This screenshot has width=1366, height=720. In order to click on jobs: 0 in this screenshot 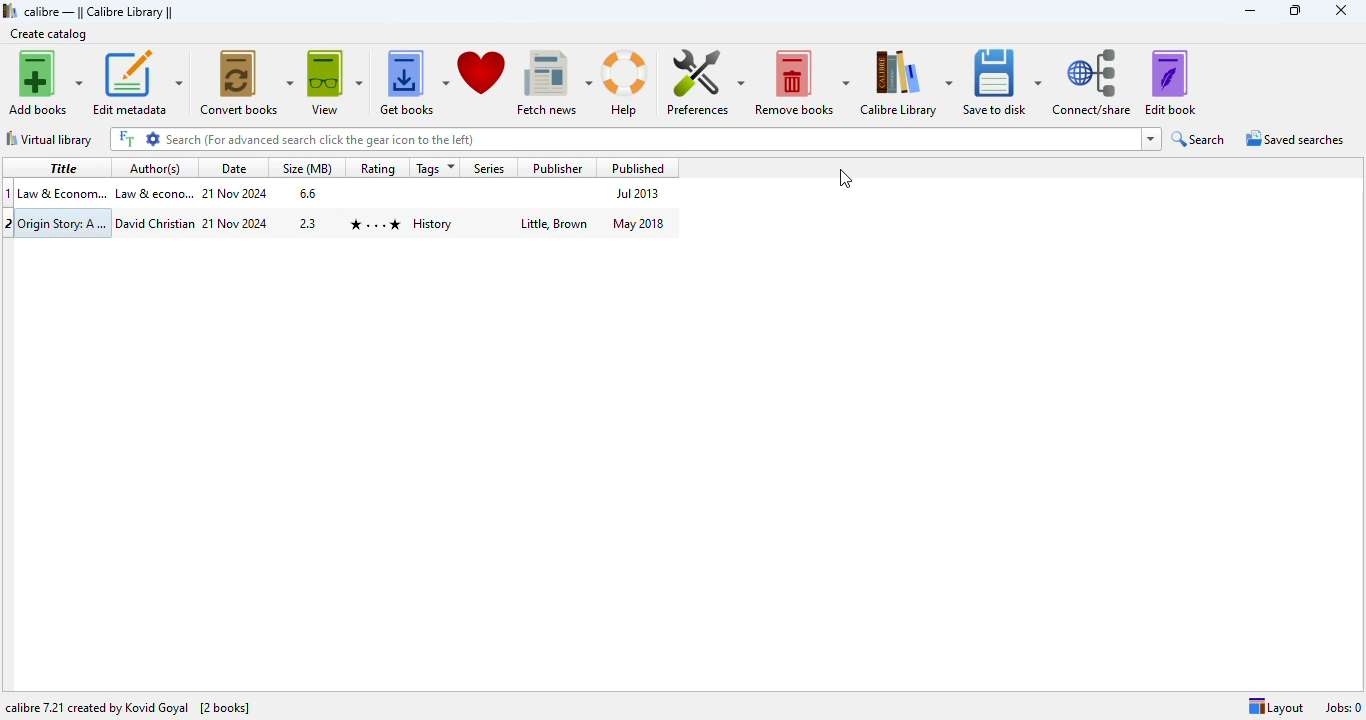, I will do `click(1343, 707)`.